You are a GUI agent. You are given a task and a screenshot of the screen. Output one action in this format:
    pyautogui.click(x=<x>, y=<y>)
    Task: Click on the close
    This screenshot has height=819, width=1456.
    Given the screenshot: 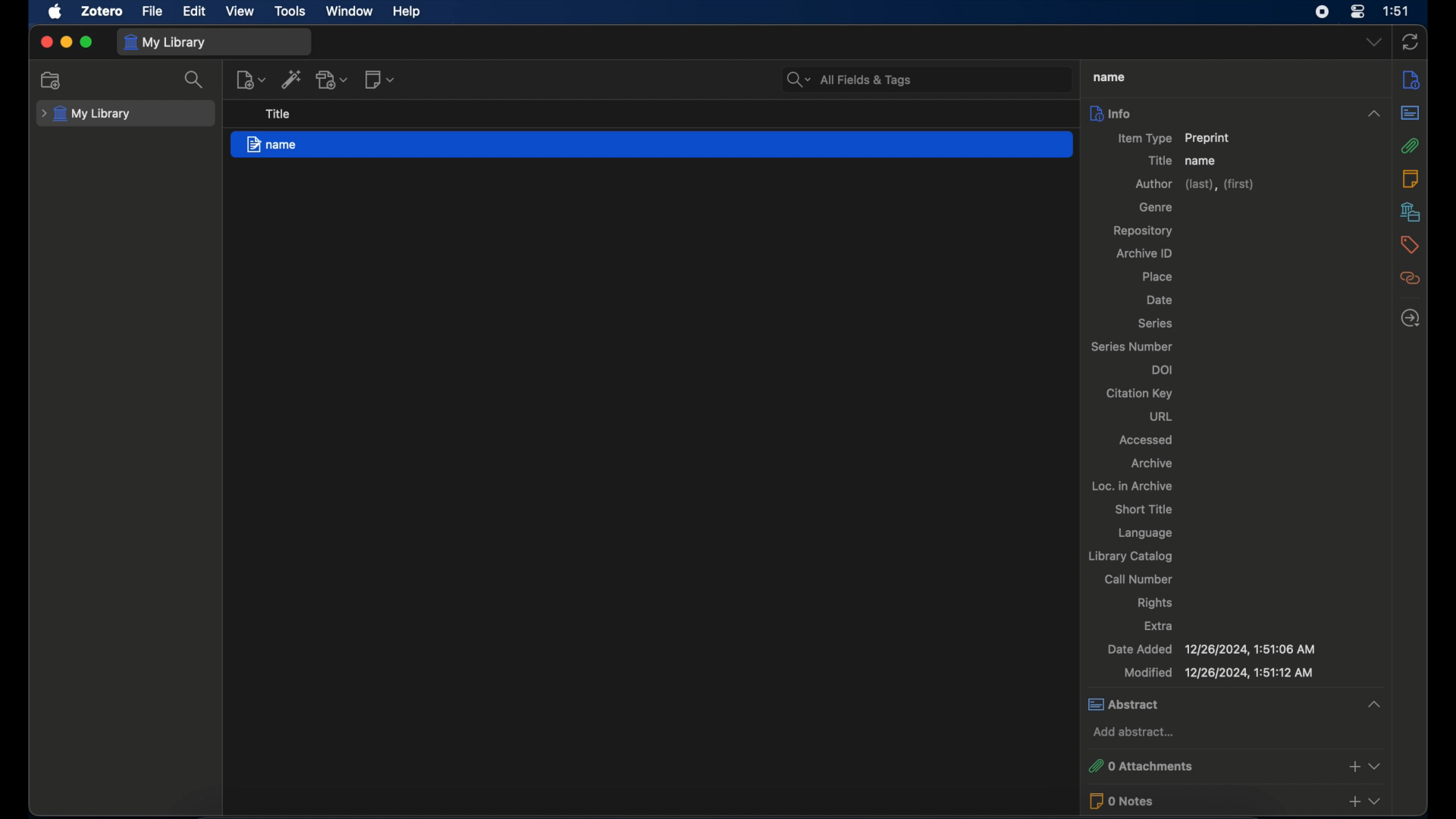 What is the action you would take?
    pyautogui.click(x=45, y=42)
    